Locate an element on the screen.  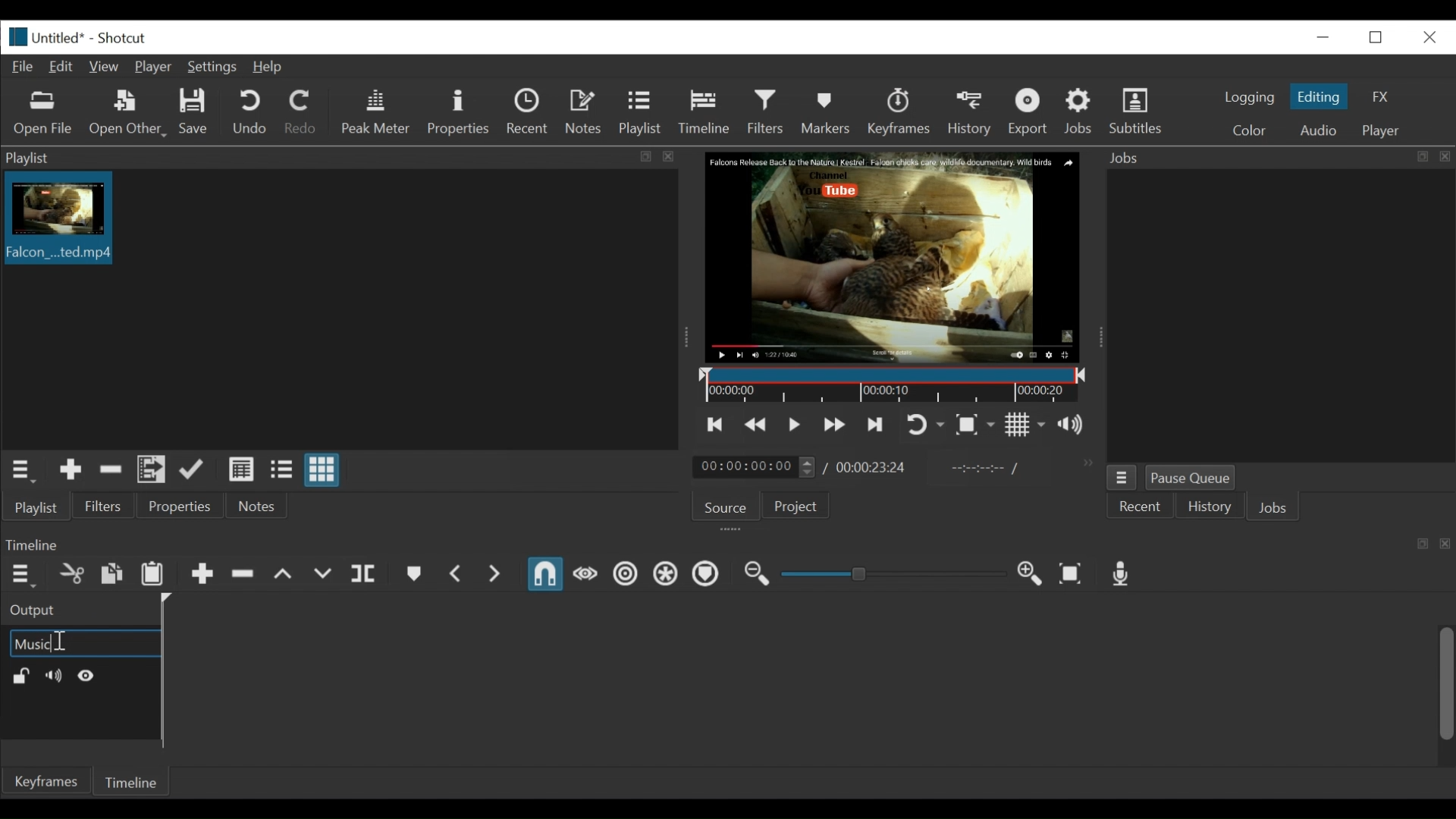
Video track name is located at coordinates (83, 642).